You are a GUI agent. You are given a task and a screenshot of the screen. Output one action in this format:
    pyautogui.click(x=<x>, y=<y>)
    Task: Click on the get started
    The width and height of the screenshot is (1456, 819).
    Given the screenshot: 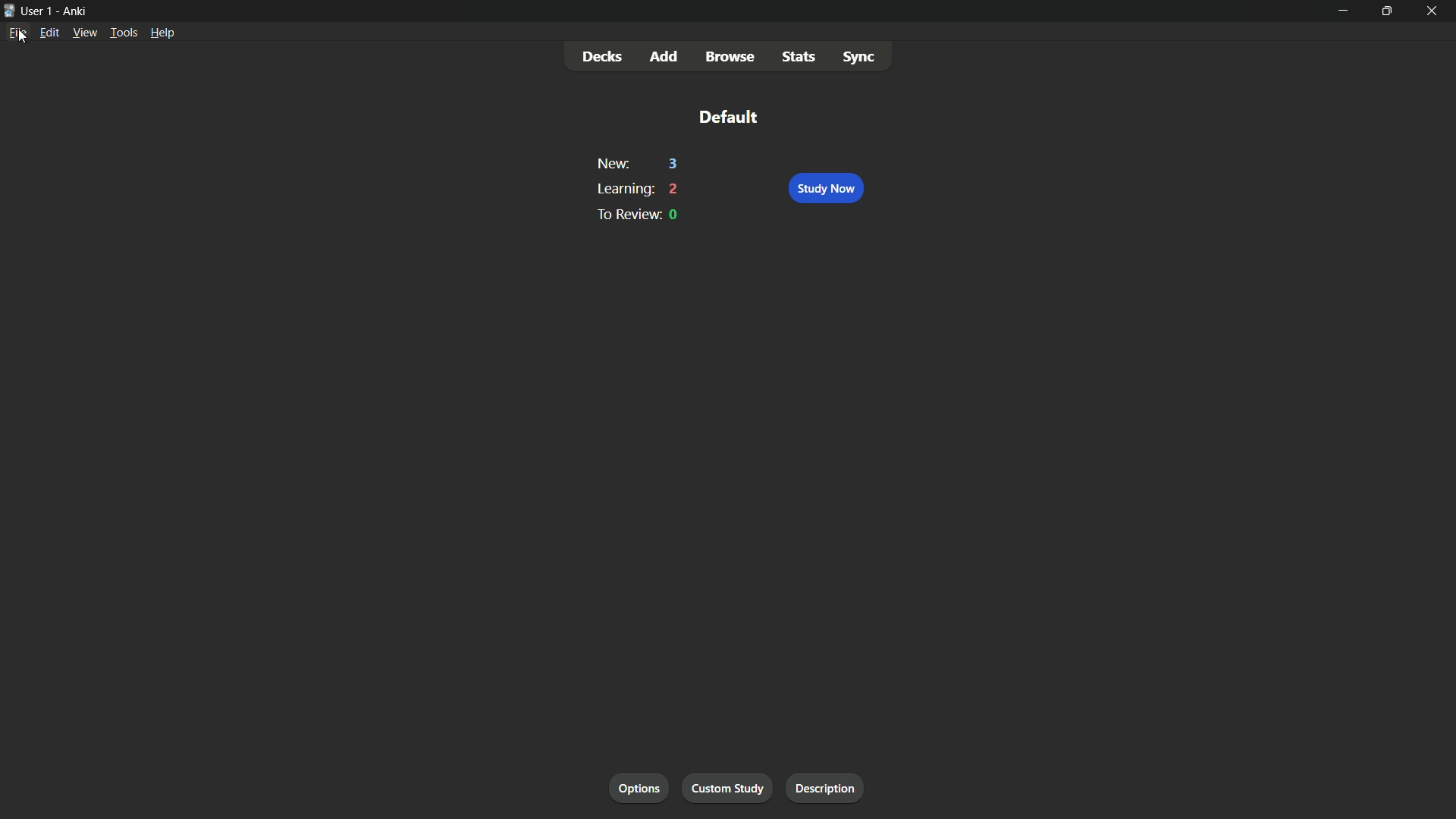 What is the action you would take?
    pyautogui.click(x=640, y=789)
    